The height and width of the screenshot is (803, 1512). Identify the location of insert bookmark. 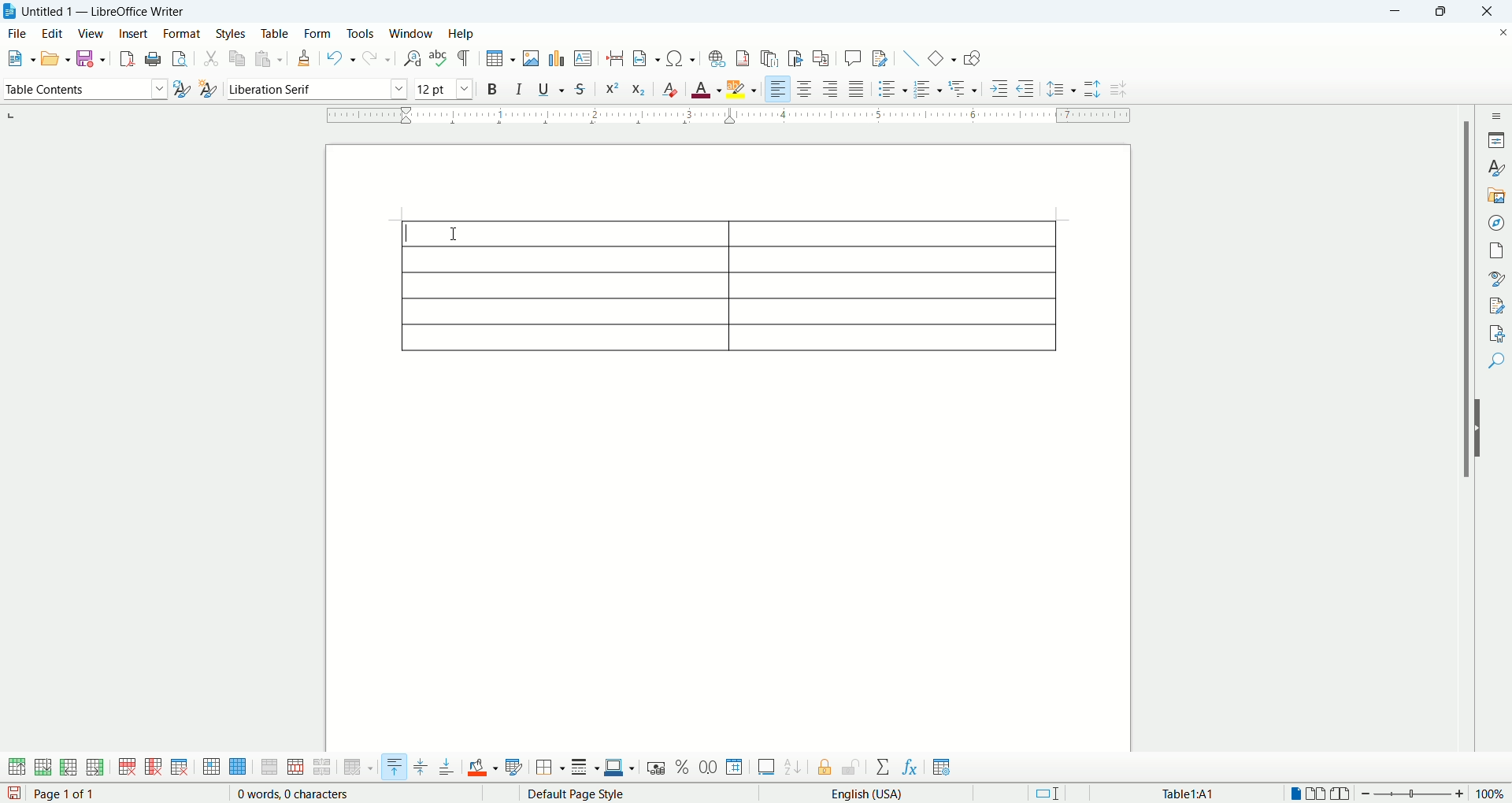
(796, 59).